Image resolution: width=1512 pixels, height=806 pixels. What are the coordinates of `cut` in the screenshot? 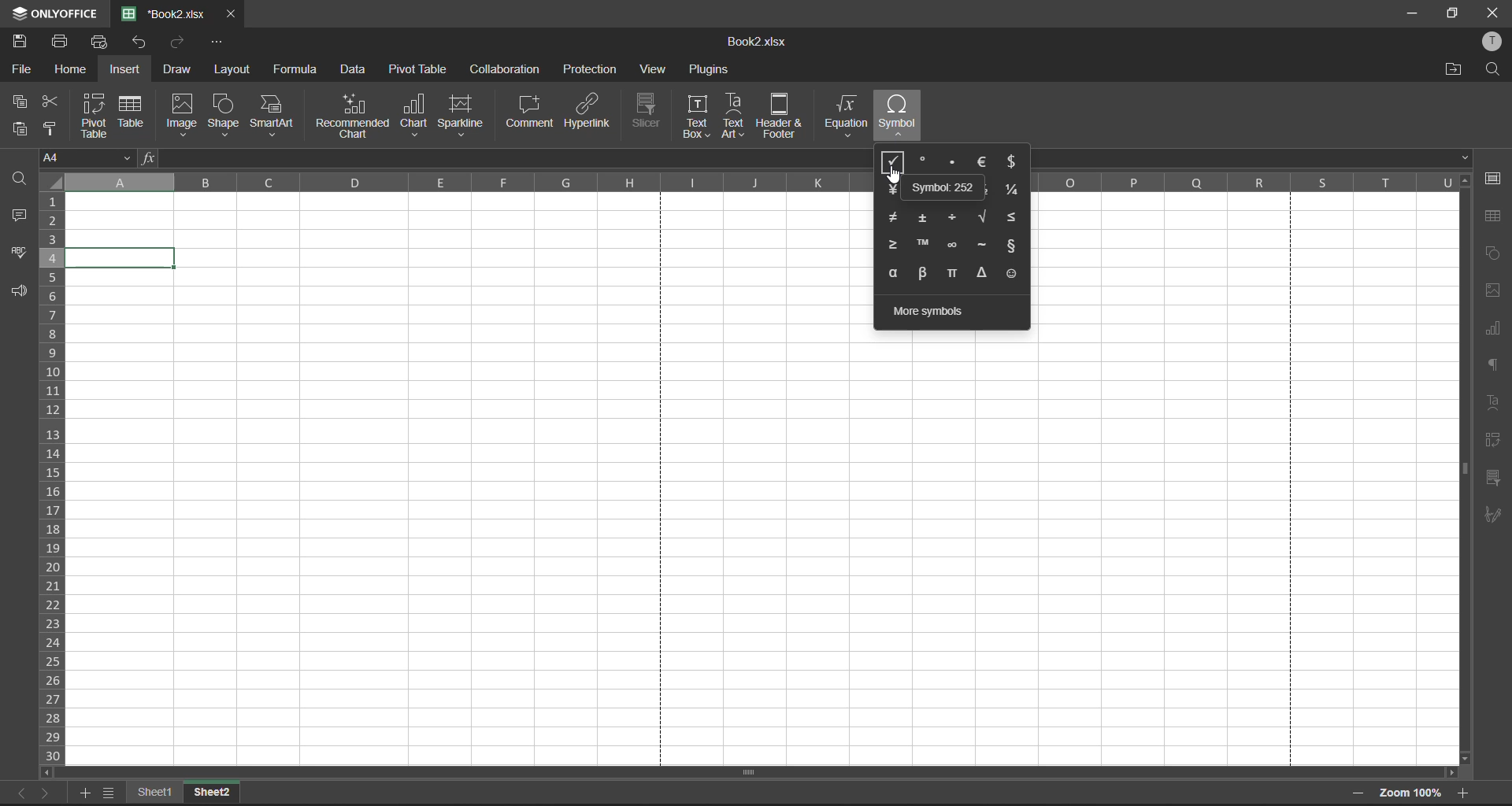 It's located at (51, 102).